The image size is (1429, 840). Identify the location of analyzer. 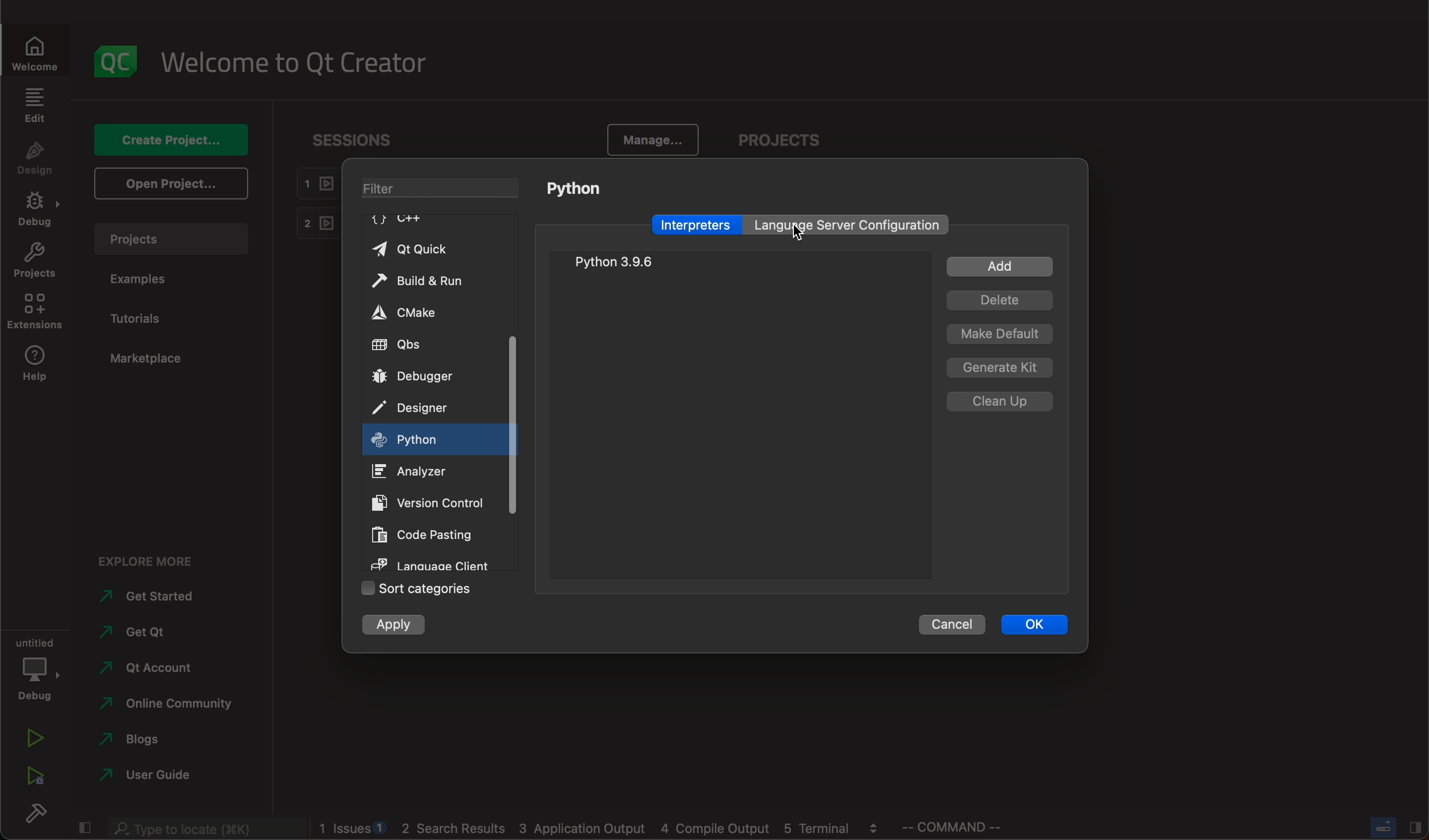
(418, 470).